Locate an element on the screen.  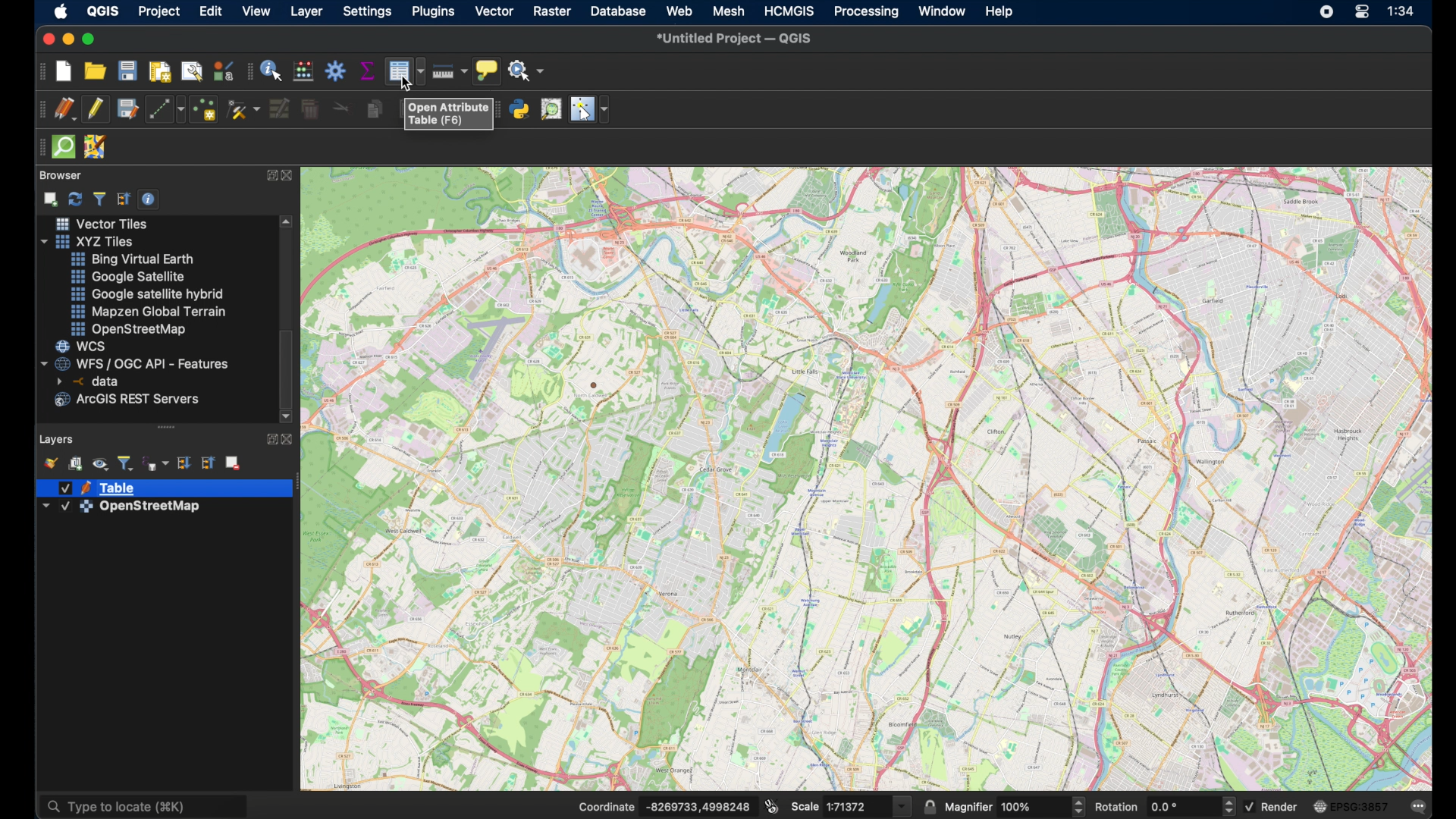
drag handle is located at coordinates (38, 149).